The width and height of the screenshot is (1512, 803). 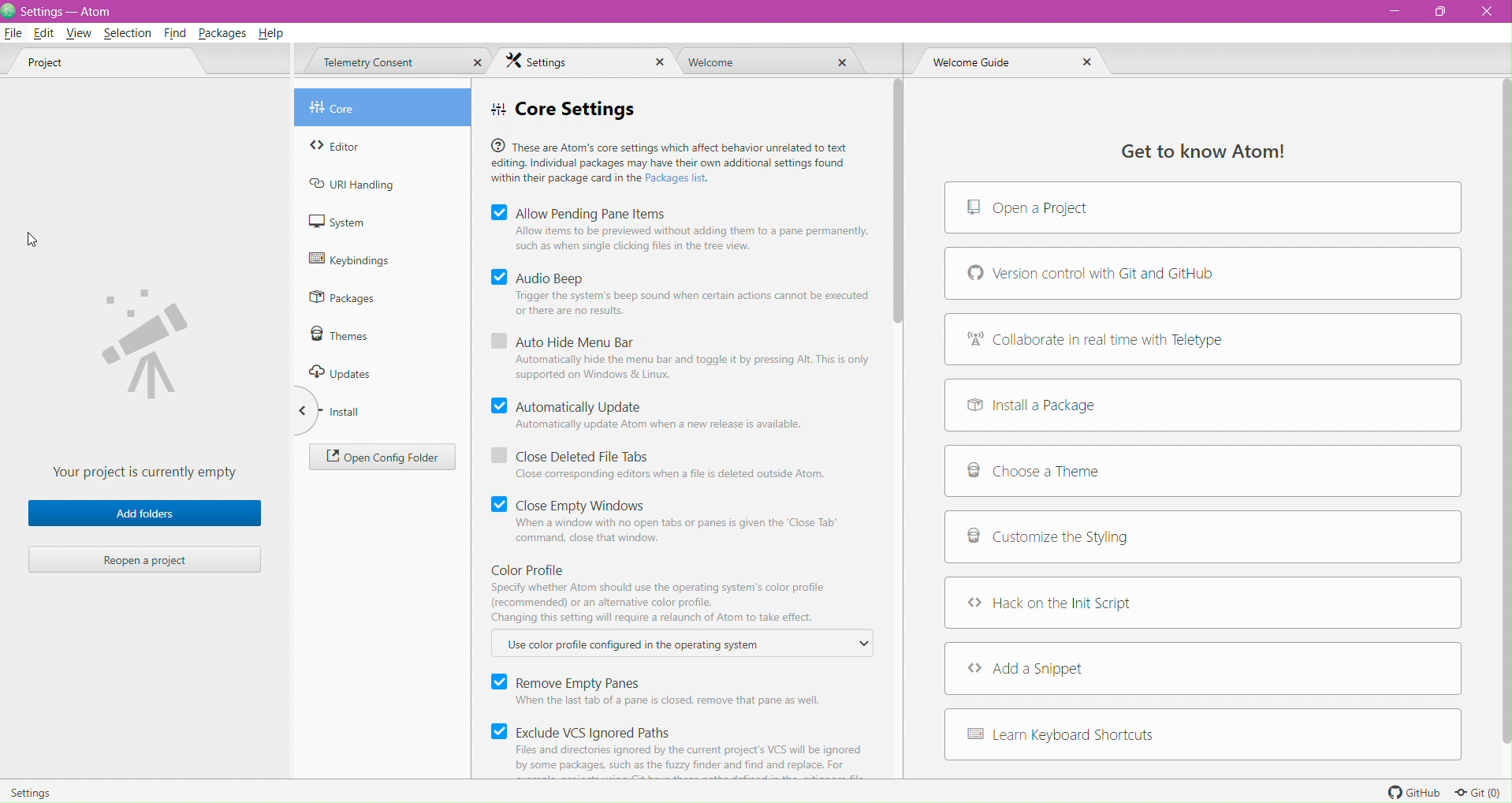 I want to click on Application Logo, so click(x=9, y=11).